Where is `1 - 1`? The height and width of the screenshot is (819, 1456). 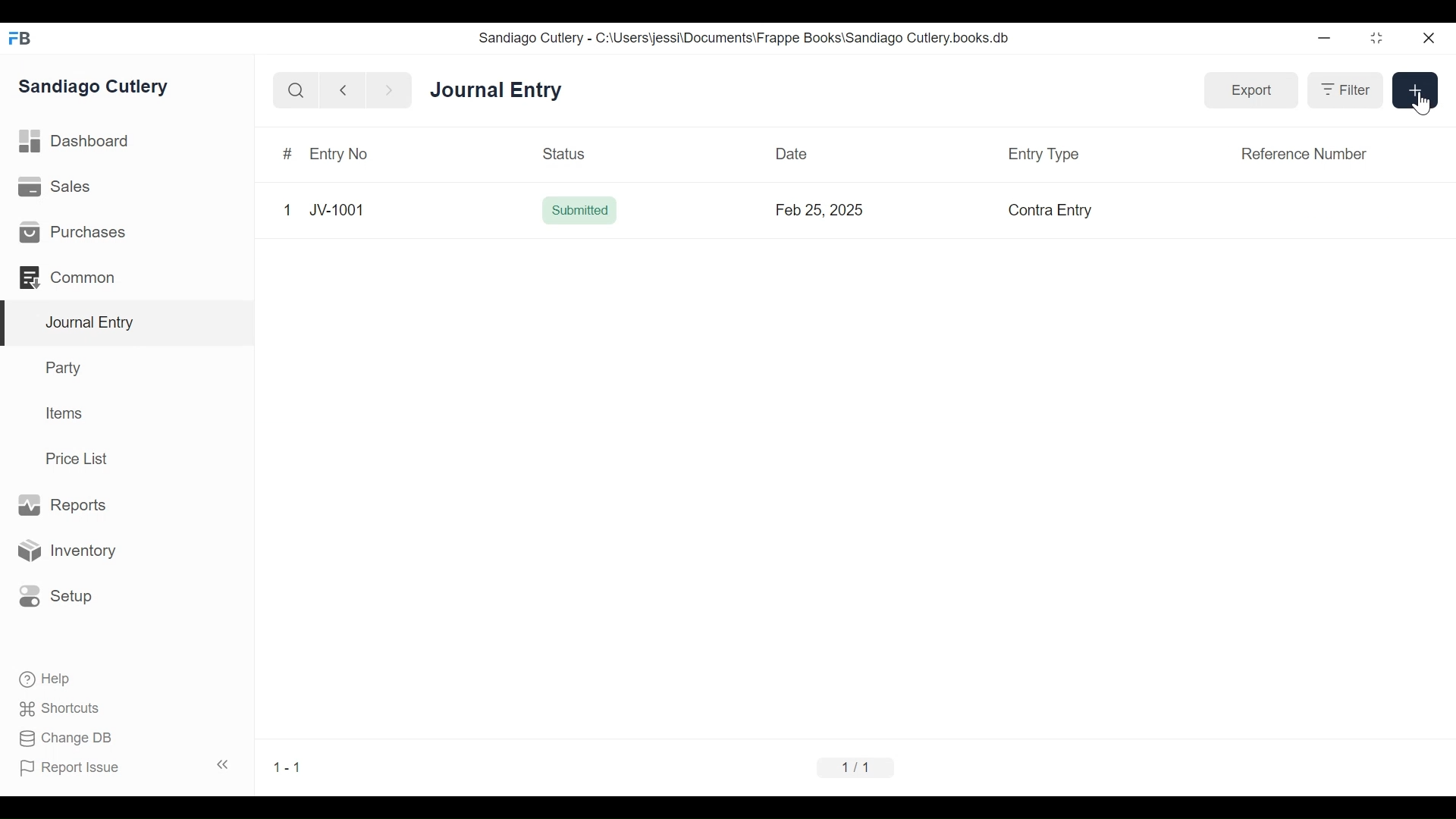
1 - 1 is located at coordinates (290, 767).